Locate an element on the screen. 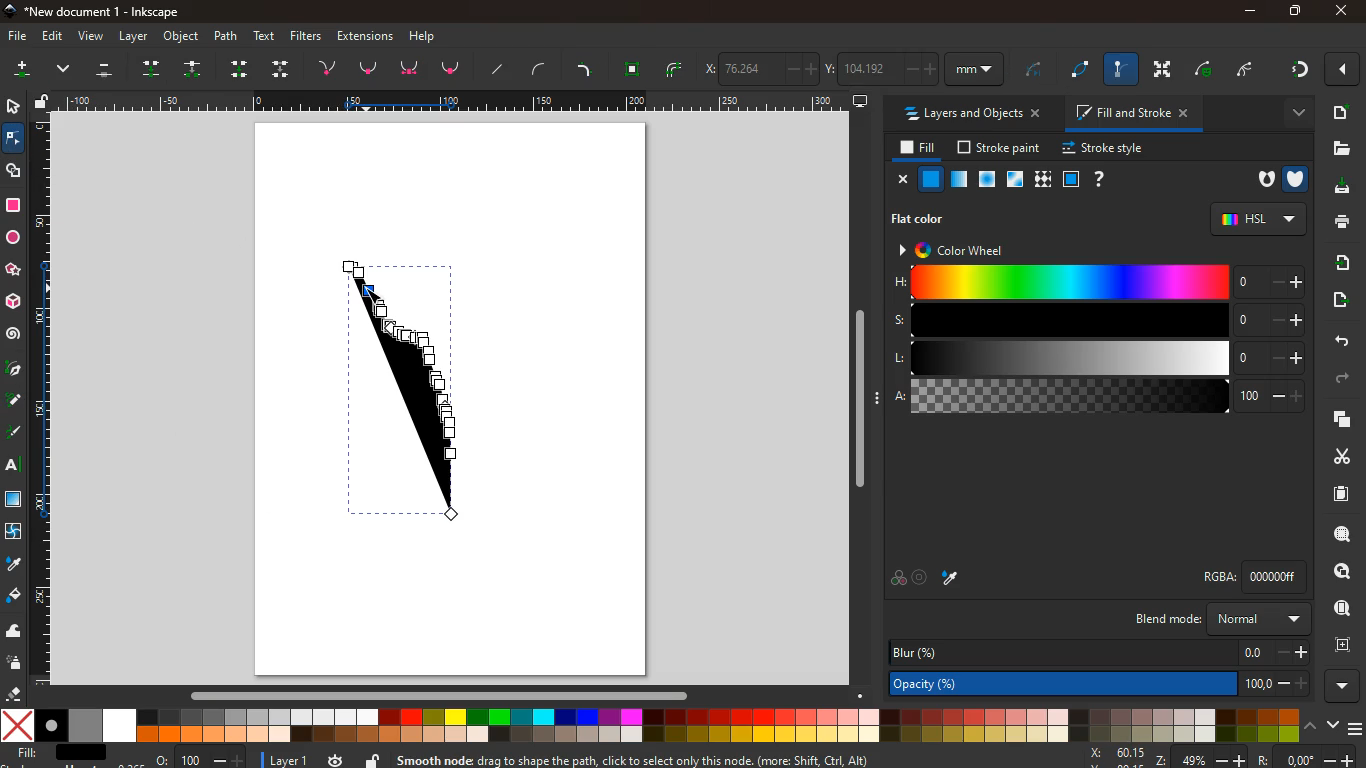 Image resolution: width=1366 pixels, height=768 pixels. angle is located at coordinates (1251, 67).